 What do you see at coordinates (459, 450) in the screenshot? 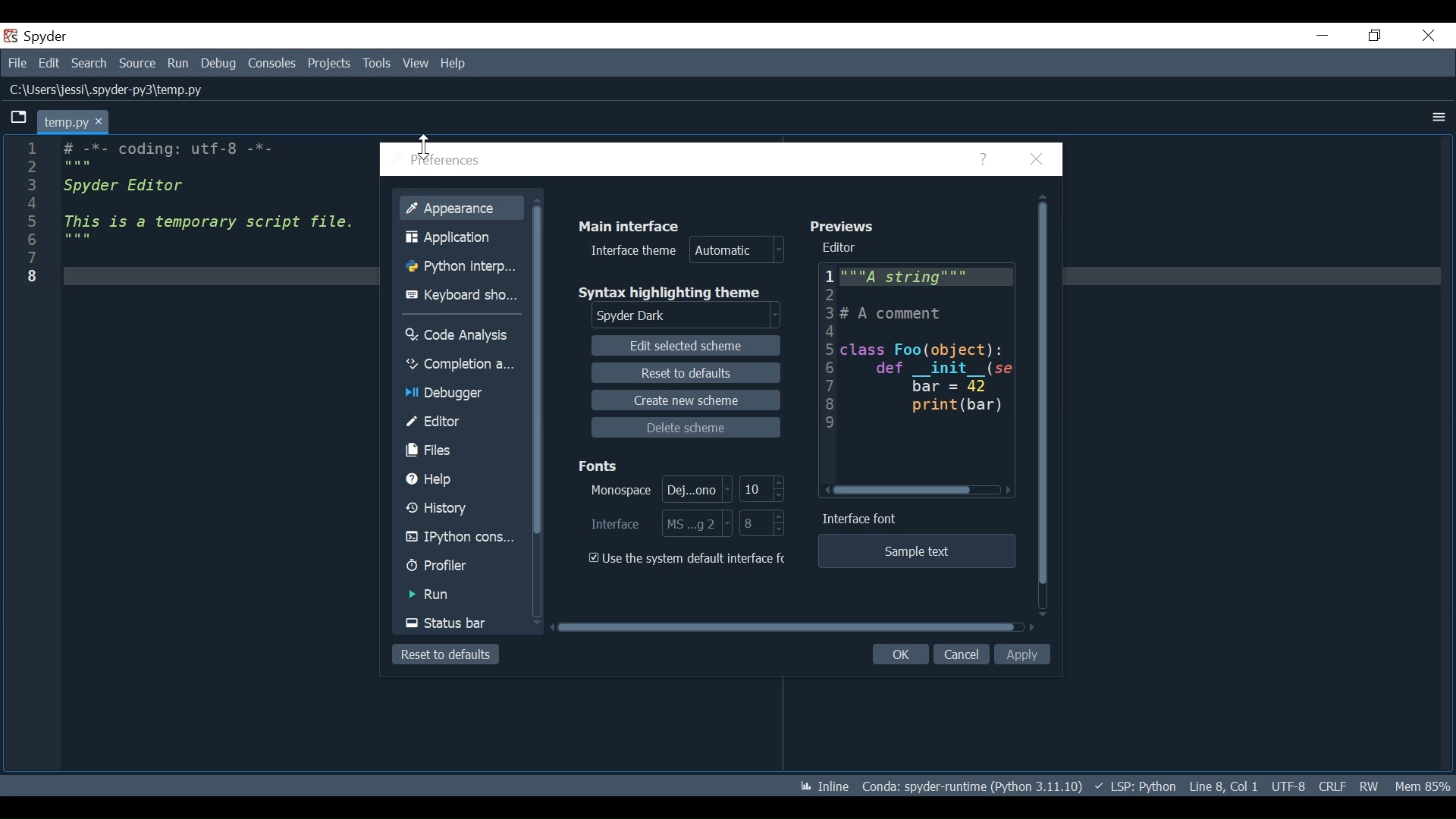
I see `Files` at bounding box center [459, 450].